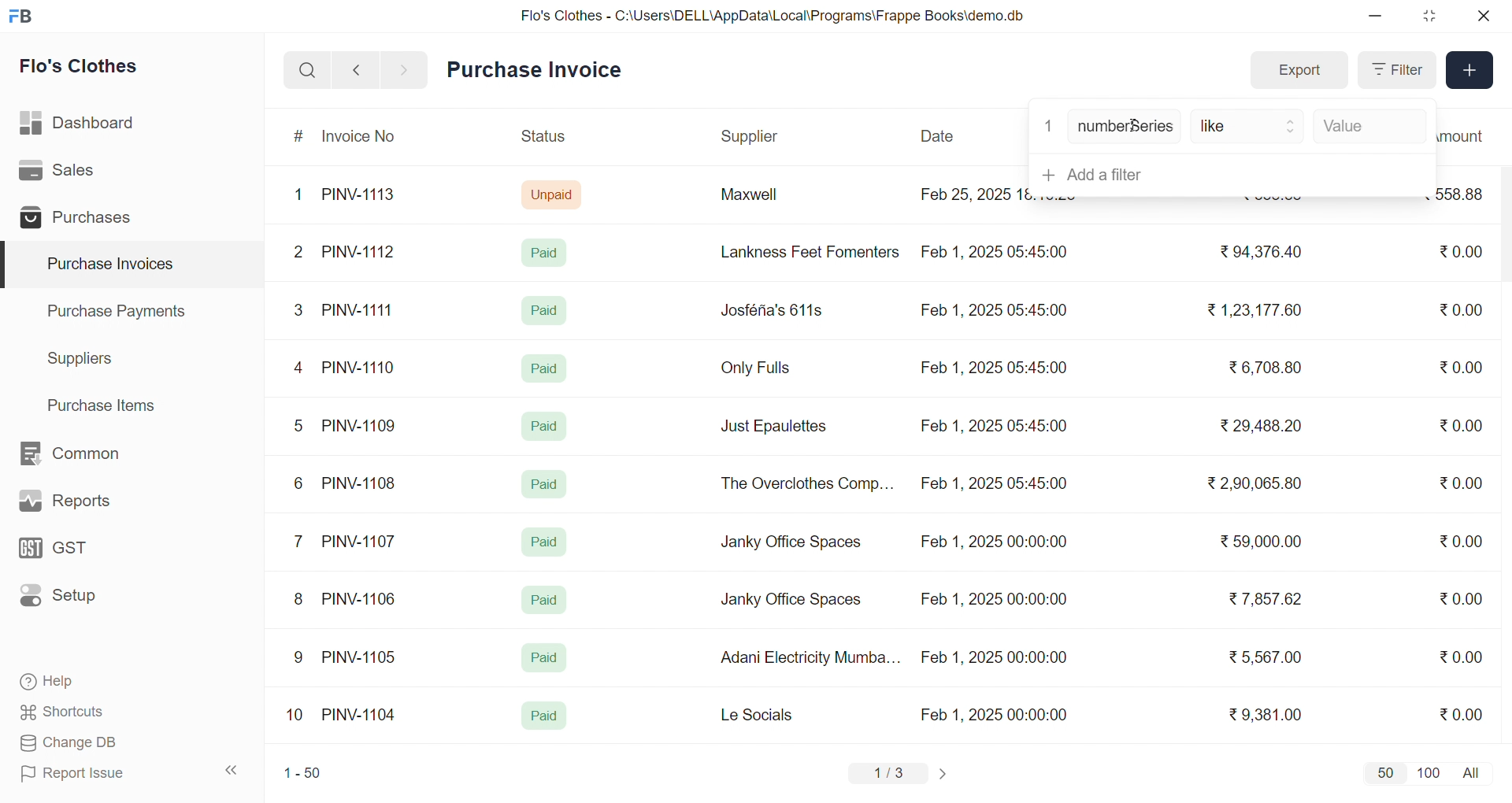 The width and height of the screenshot is (1512, 803). I want to click on Purchase Invoice, so click(539, 70).